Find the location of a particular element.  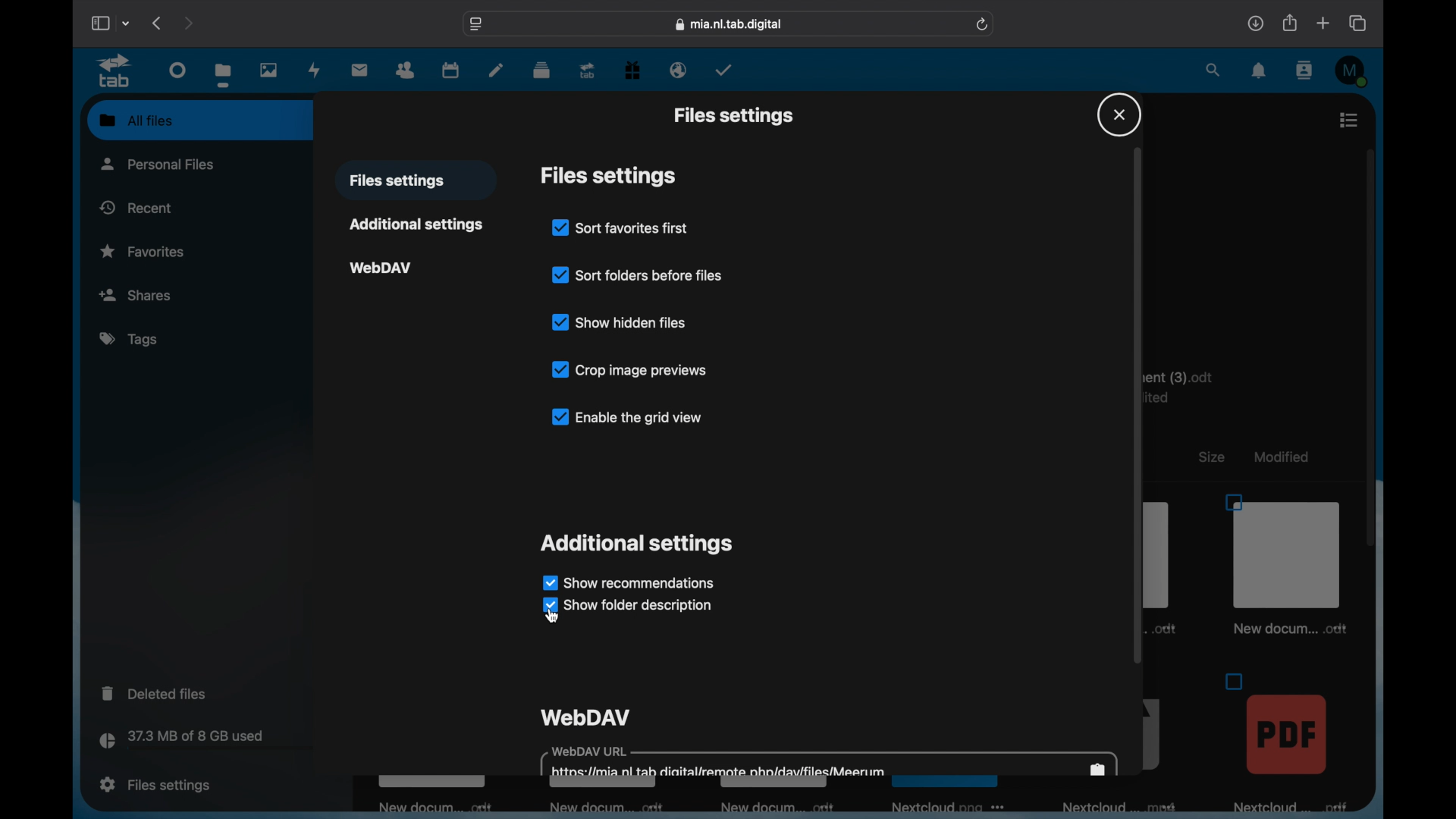

shares is located at coordinates (199, 293).